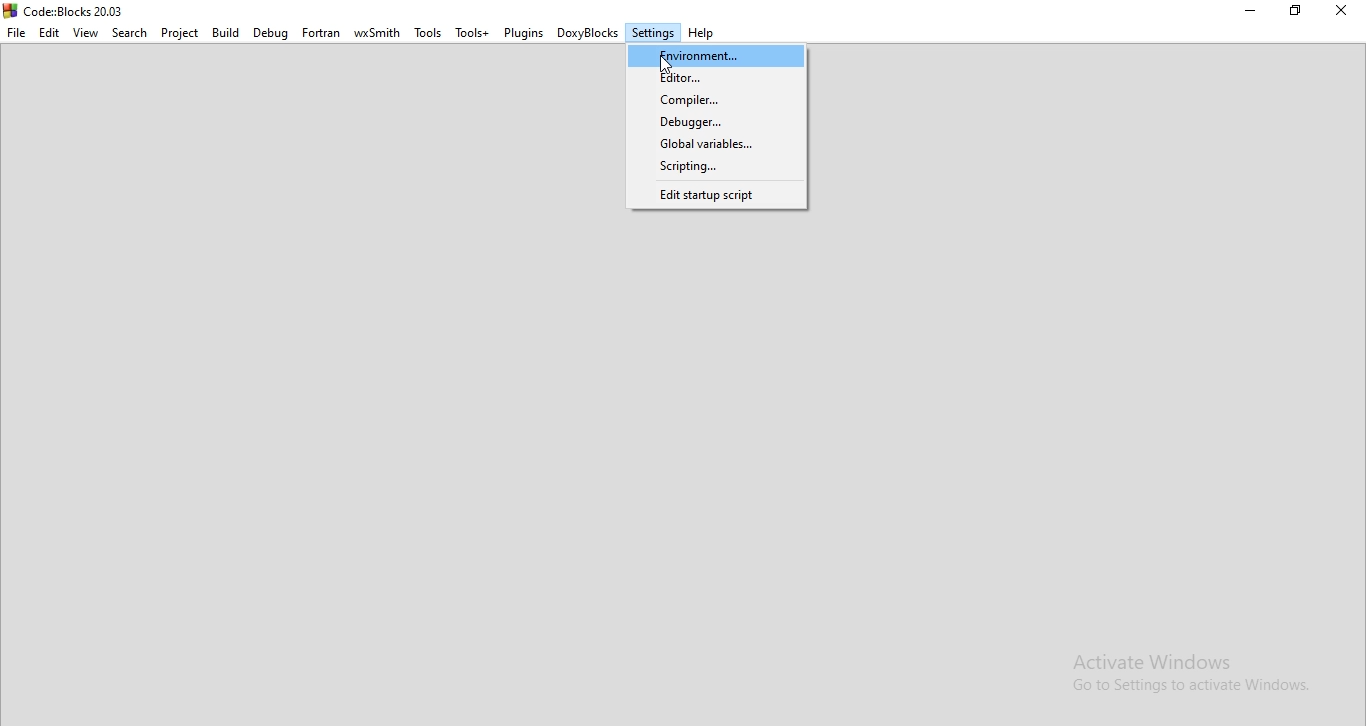 The image size is (1366, 726). What do you see at coordinates (1346, 14) in the screenshot?
I see `close` at bounding box center [1346, 14].